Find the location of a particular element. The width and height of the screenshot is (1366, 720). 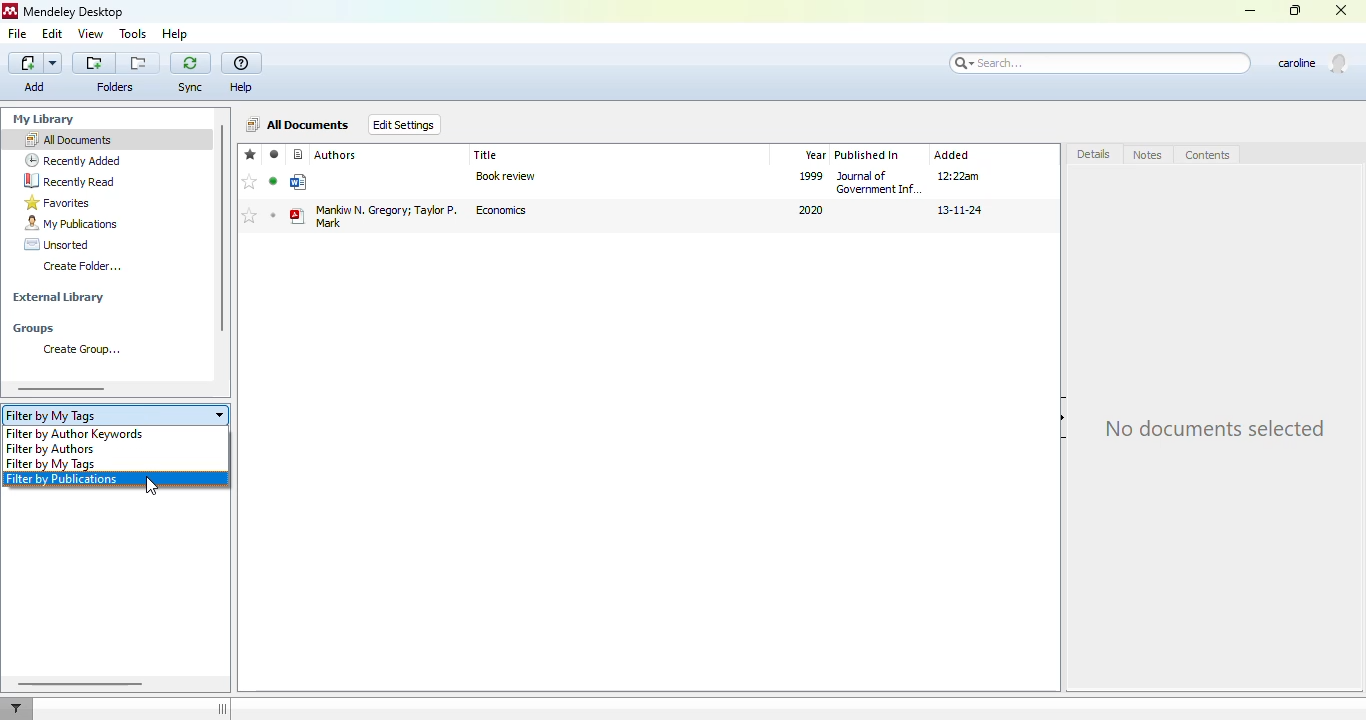

read/unread is located at coordinates (275, 155).